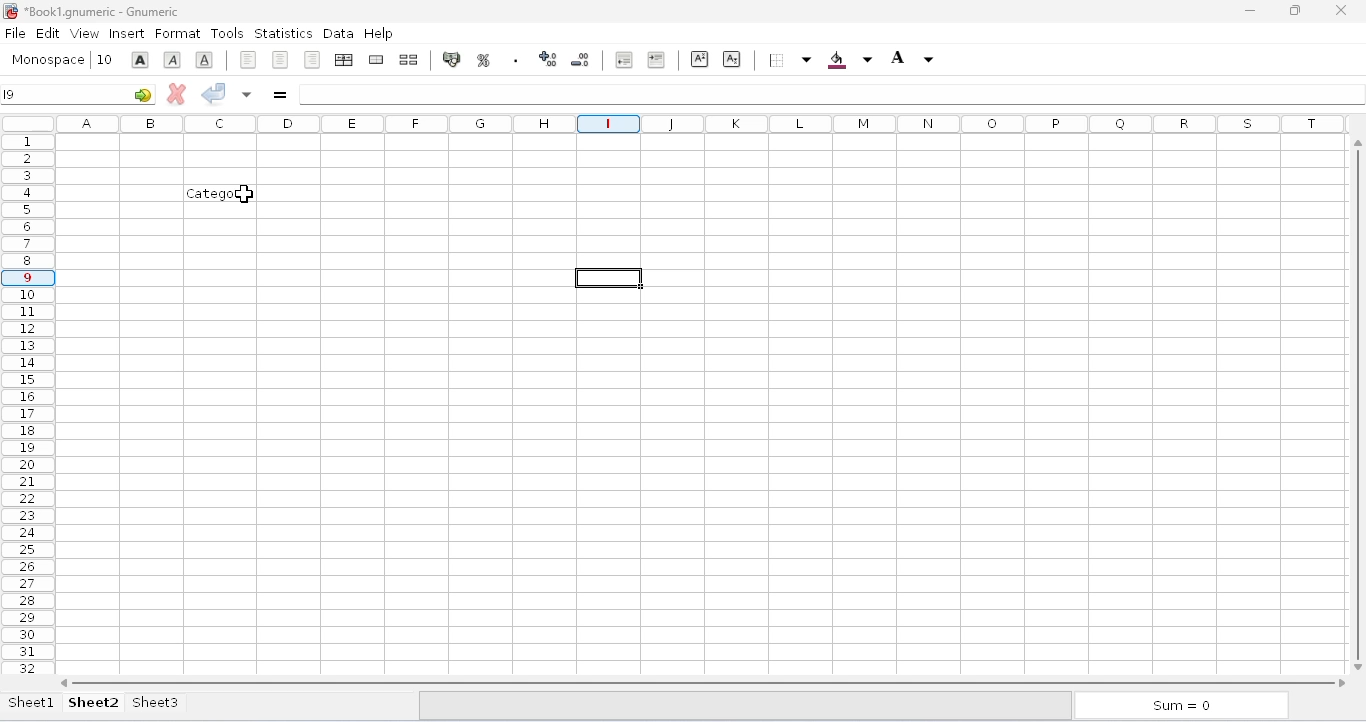 Image resolution: width=1366 pixels, height=722 pixels. I want to click on borders, so click(788, 60).